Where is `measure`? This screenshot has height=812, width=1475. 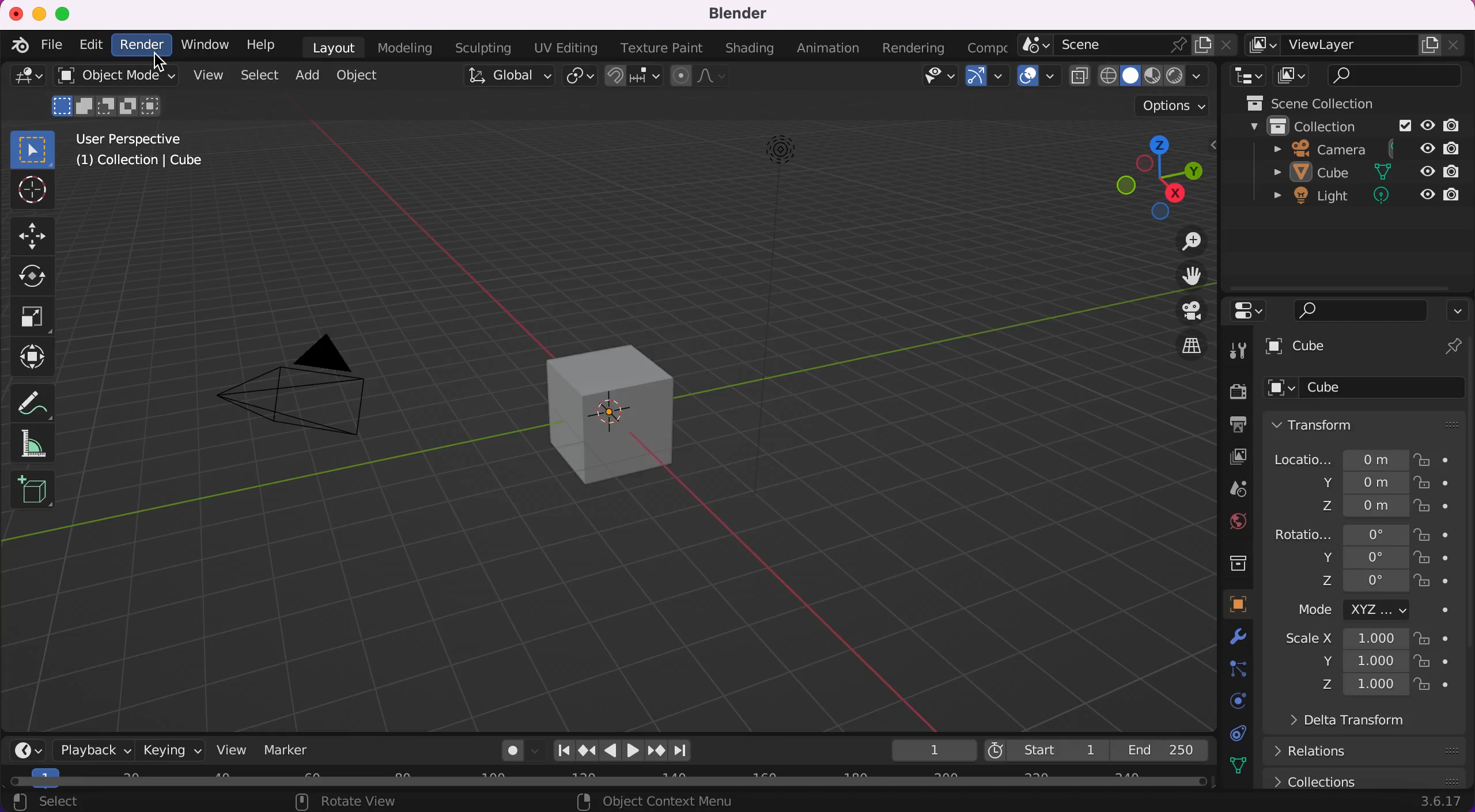 measure is located at coordinates (43, 443).